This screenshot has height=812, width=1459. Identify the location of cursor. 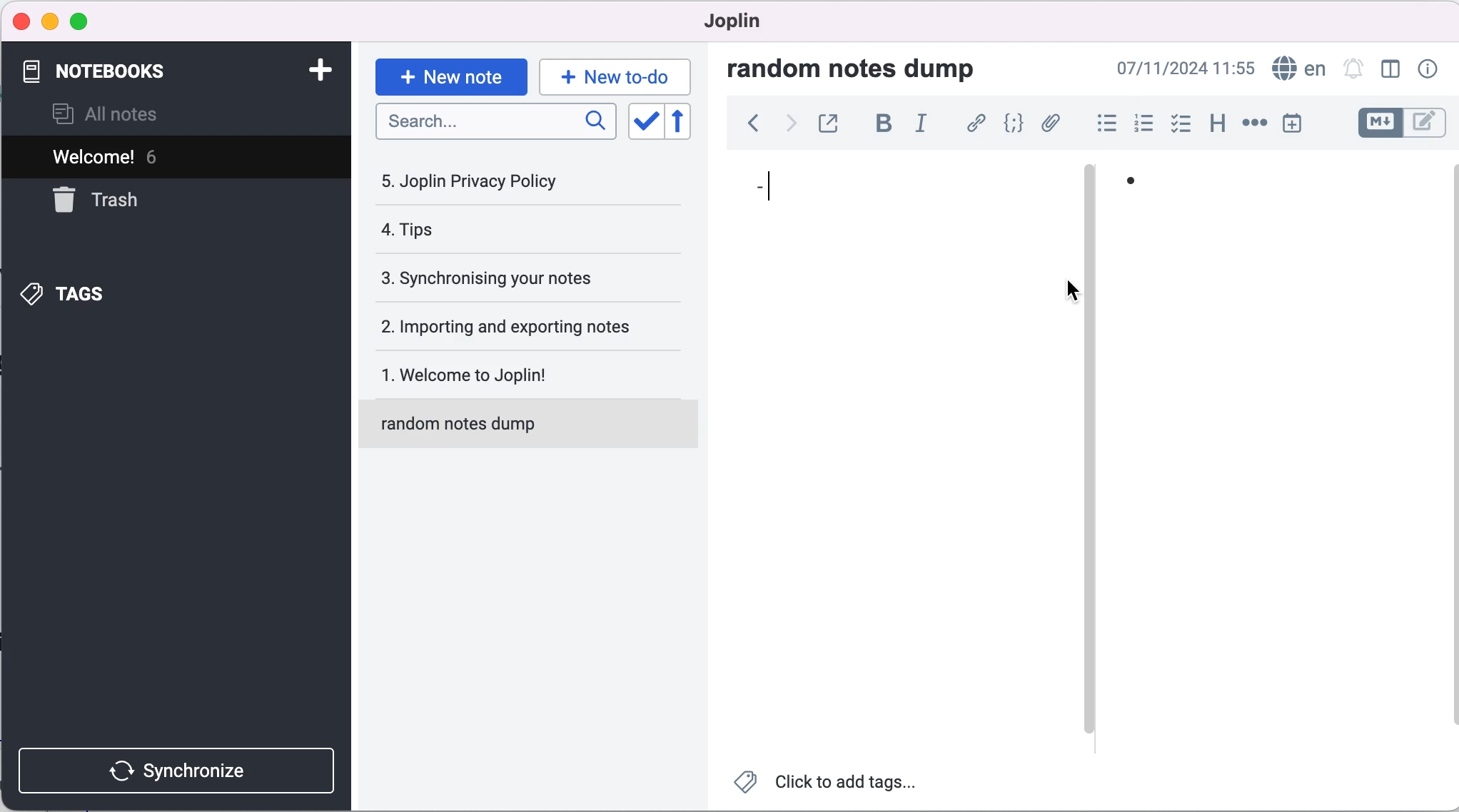
(1076, 293).